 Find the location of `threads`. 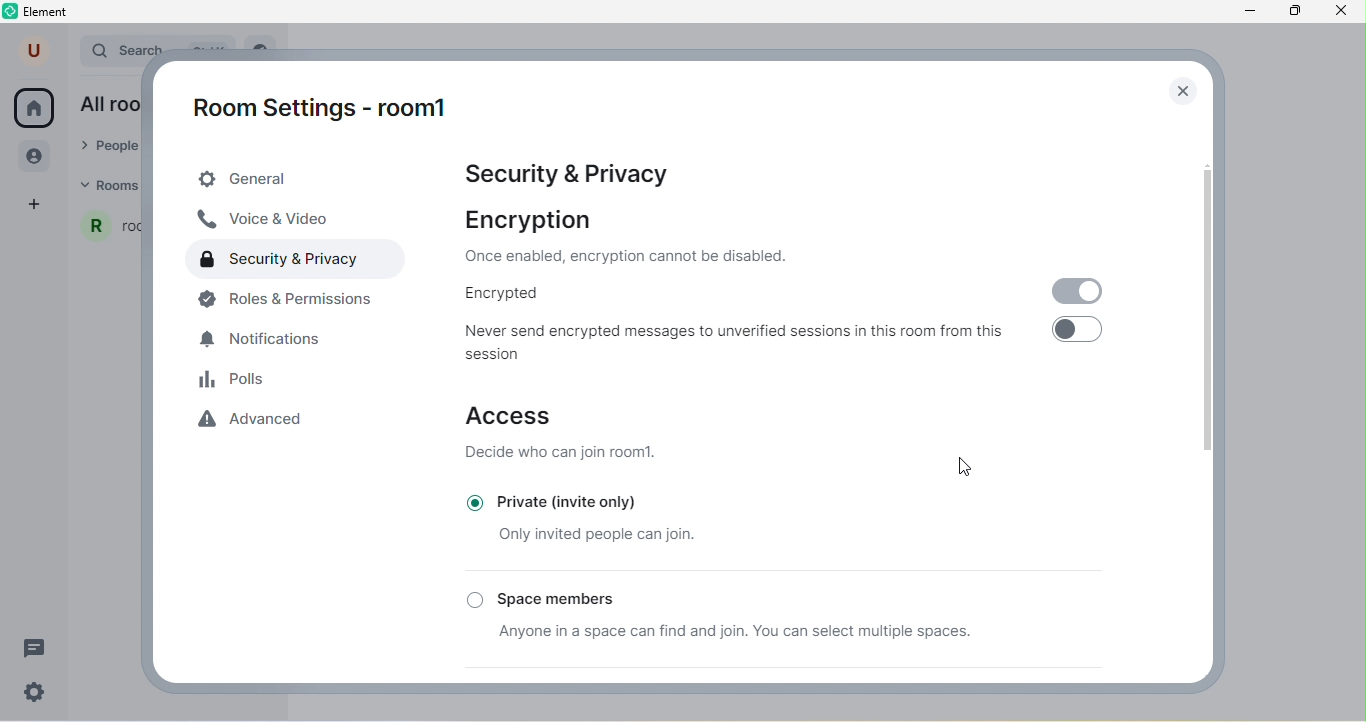

threads is located at coordinates (33, 646).